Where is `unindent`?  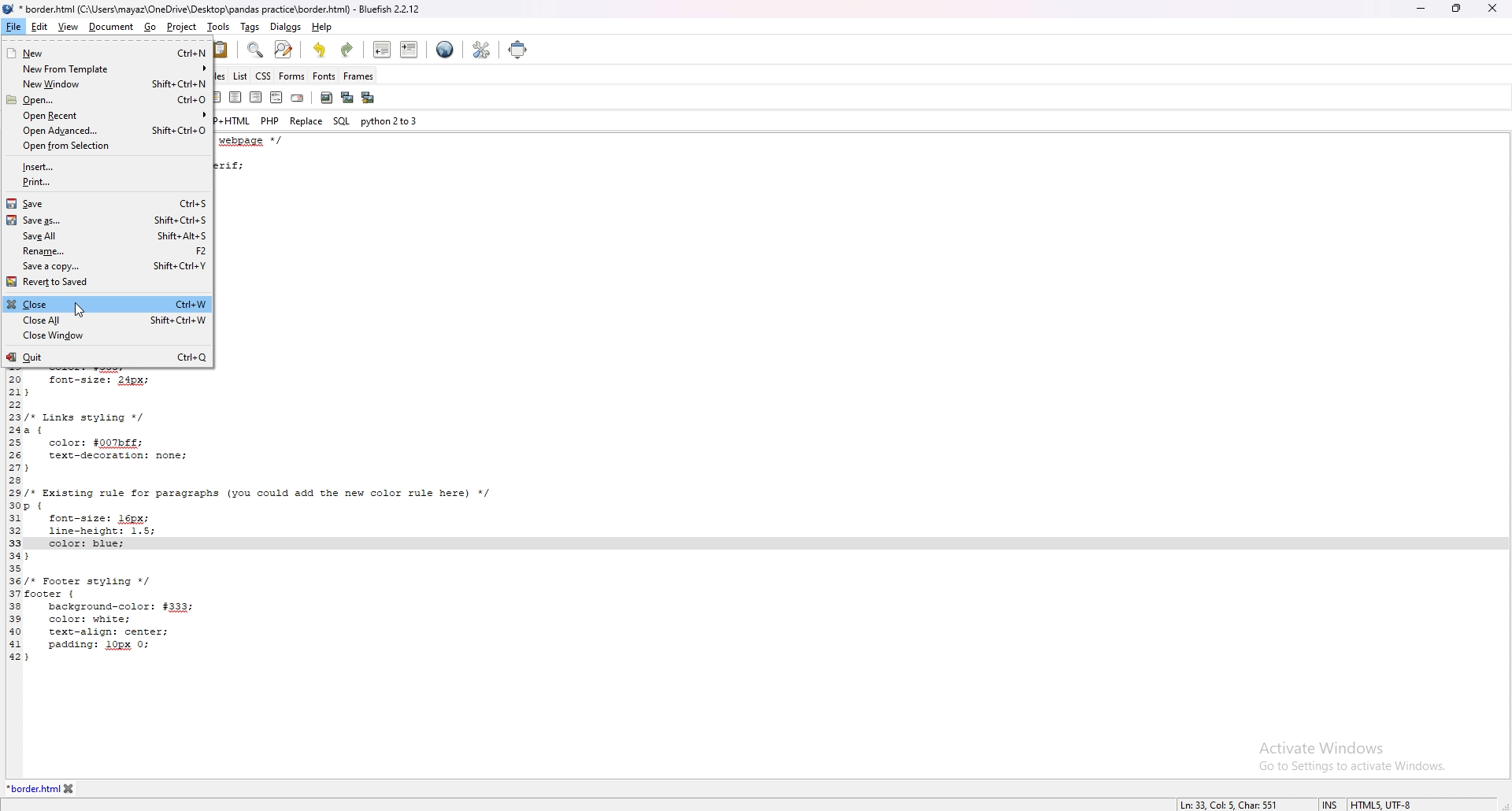
unindent is located at coordinates (382, 49).